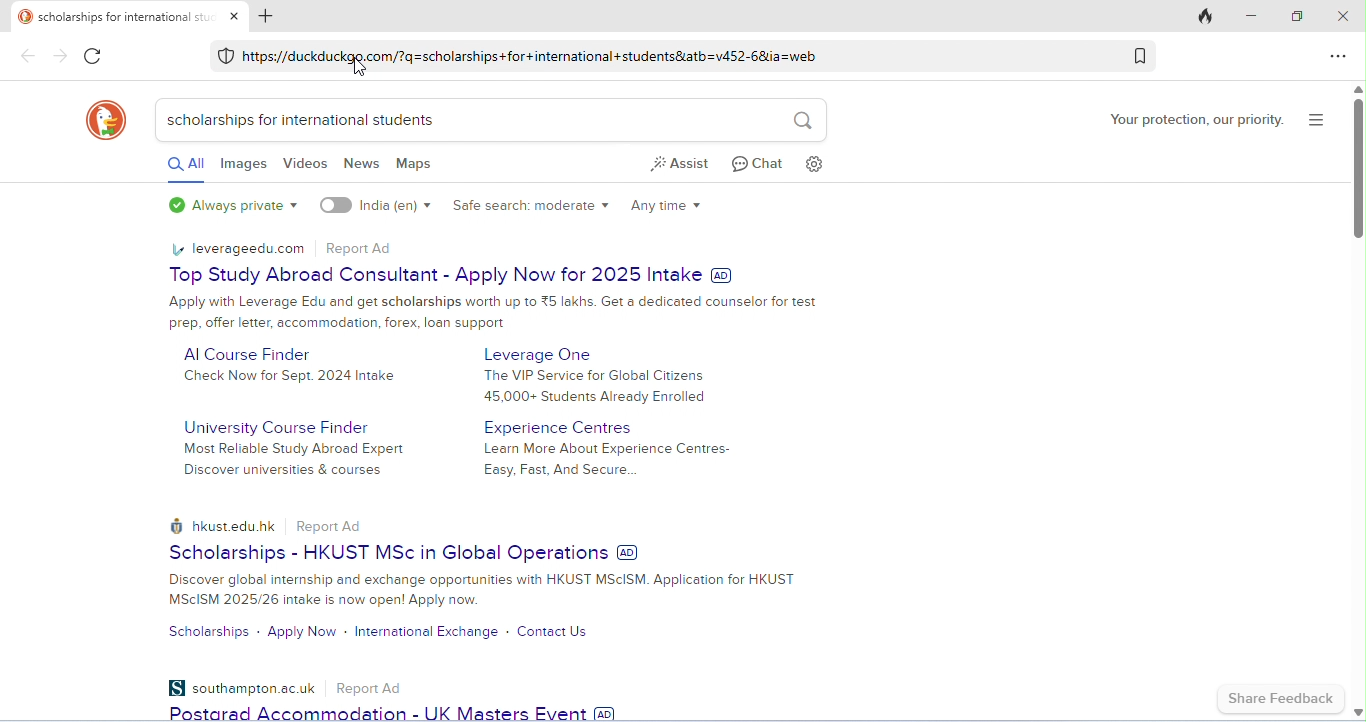 The image size is (1366, 722). I want to click on send feedback and more, so click(1336, 56).